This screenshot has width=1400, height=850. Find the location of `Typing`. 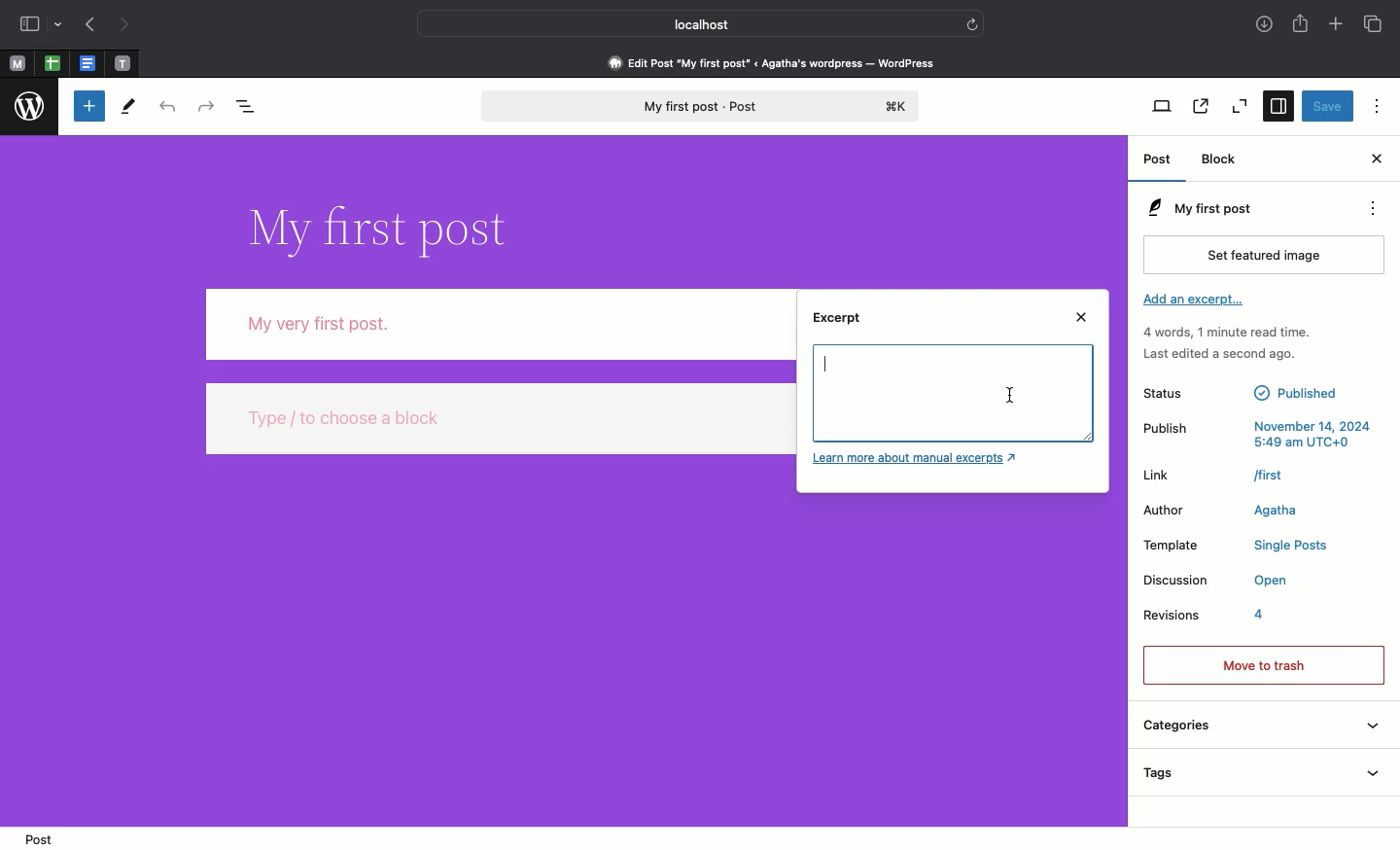

Typing is located at coordinates (838, 368).